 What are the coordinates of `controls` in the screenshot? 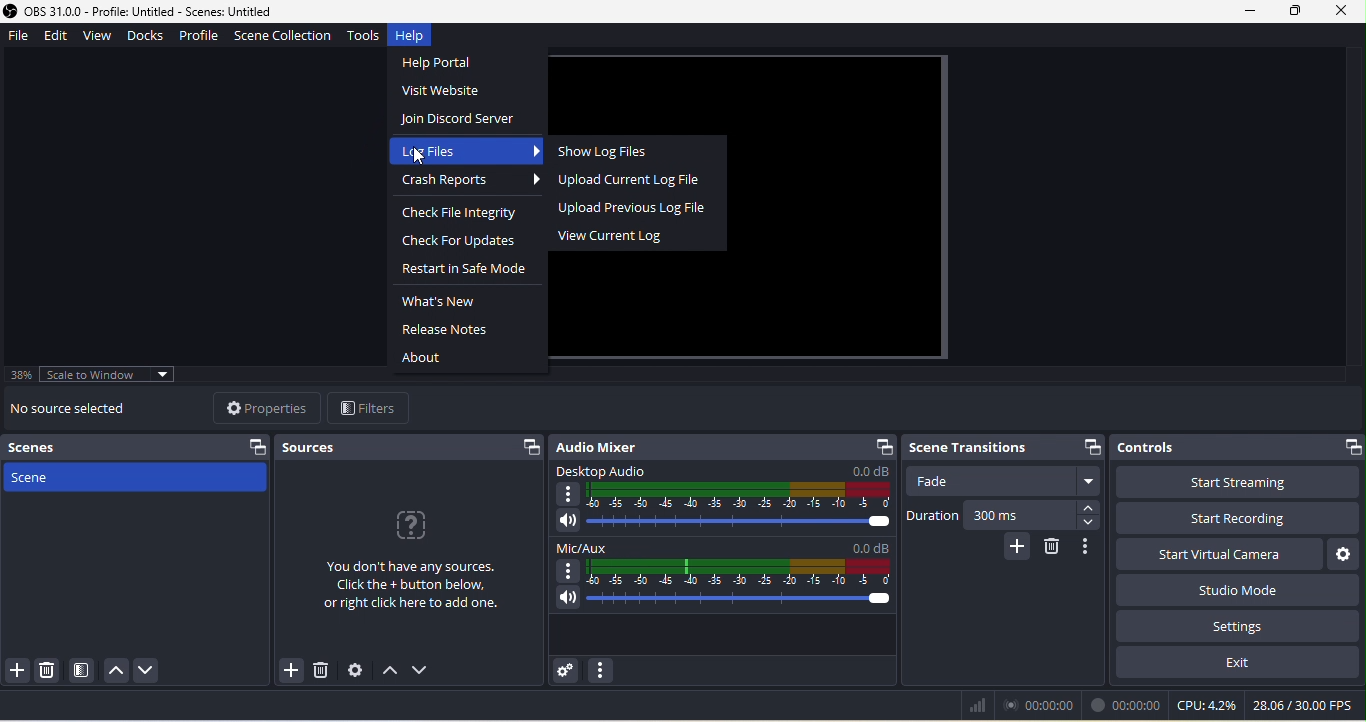 It's located at (1238, 444).